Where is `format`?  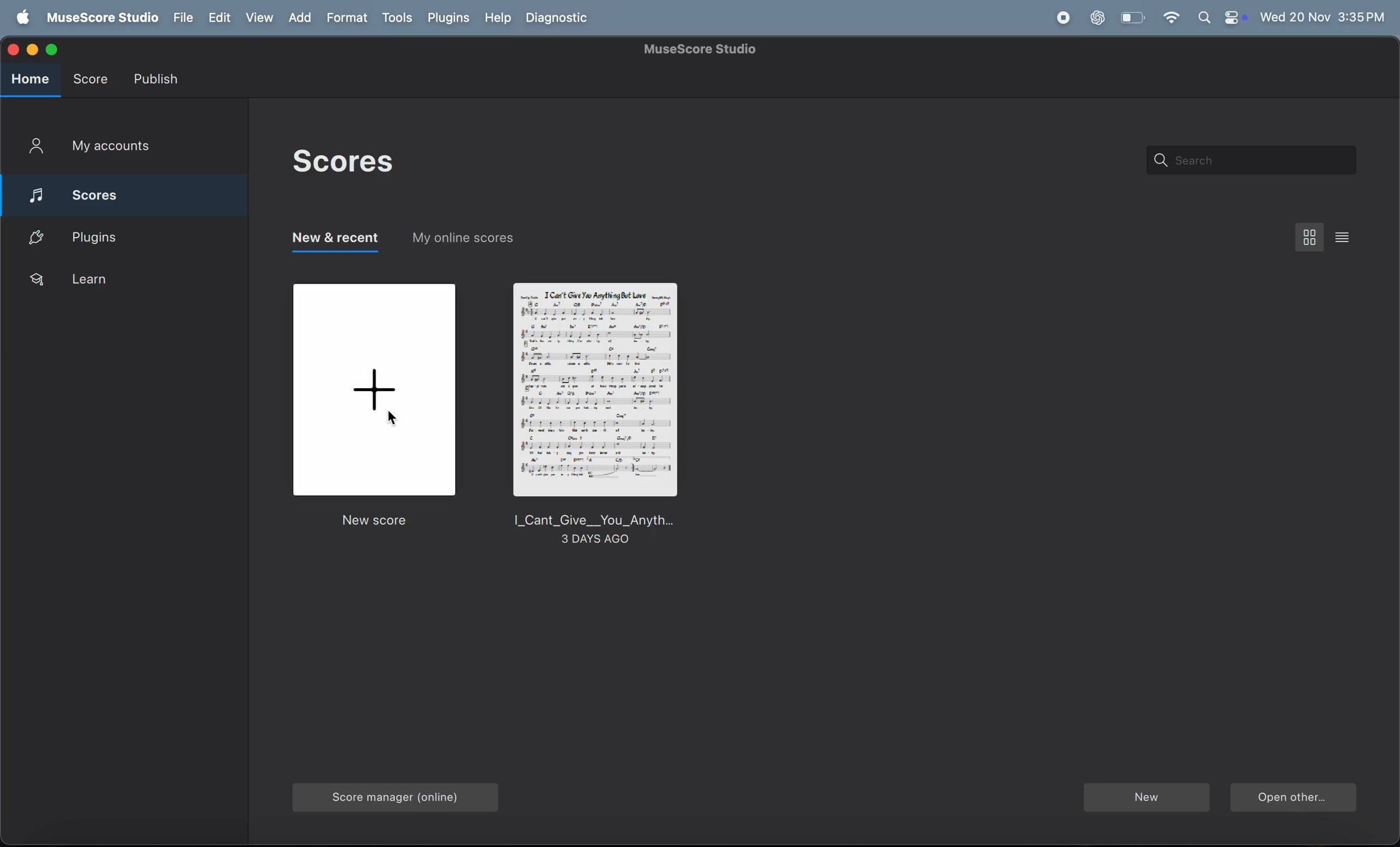 format is located at coordinates (349, 18).